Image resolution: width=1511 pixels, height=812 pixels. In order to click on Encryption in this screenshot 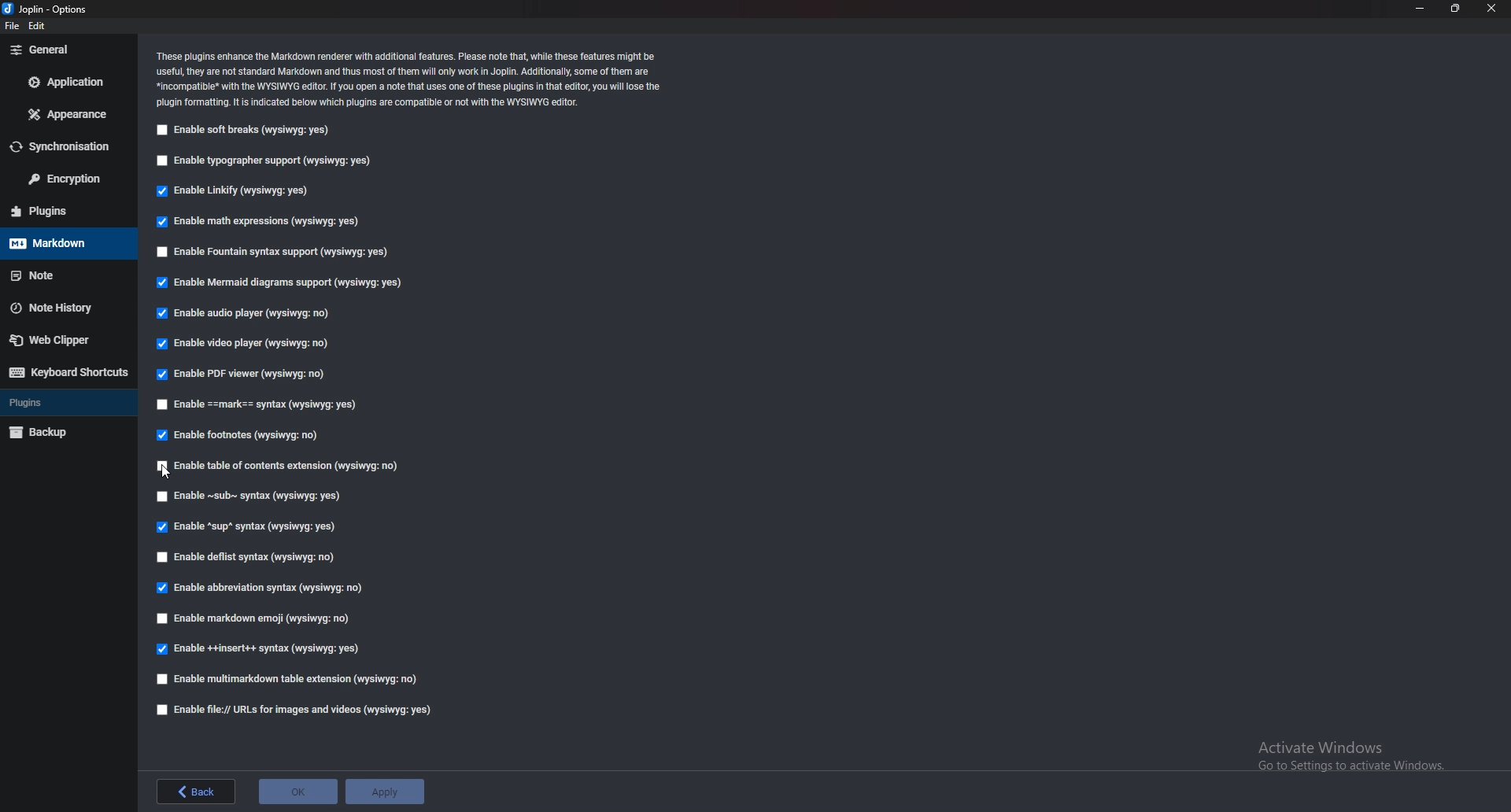, I will do `click(65, 179)`.